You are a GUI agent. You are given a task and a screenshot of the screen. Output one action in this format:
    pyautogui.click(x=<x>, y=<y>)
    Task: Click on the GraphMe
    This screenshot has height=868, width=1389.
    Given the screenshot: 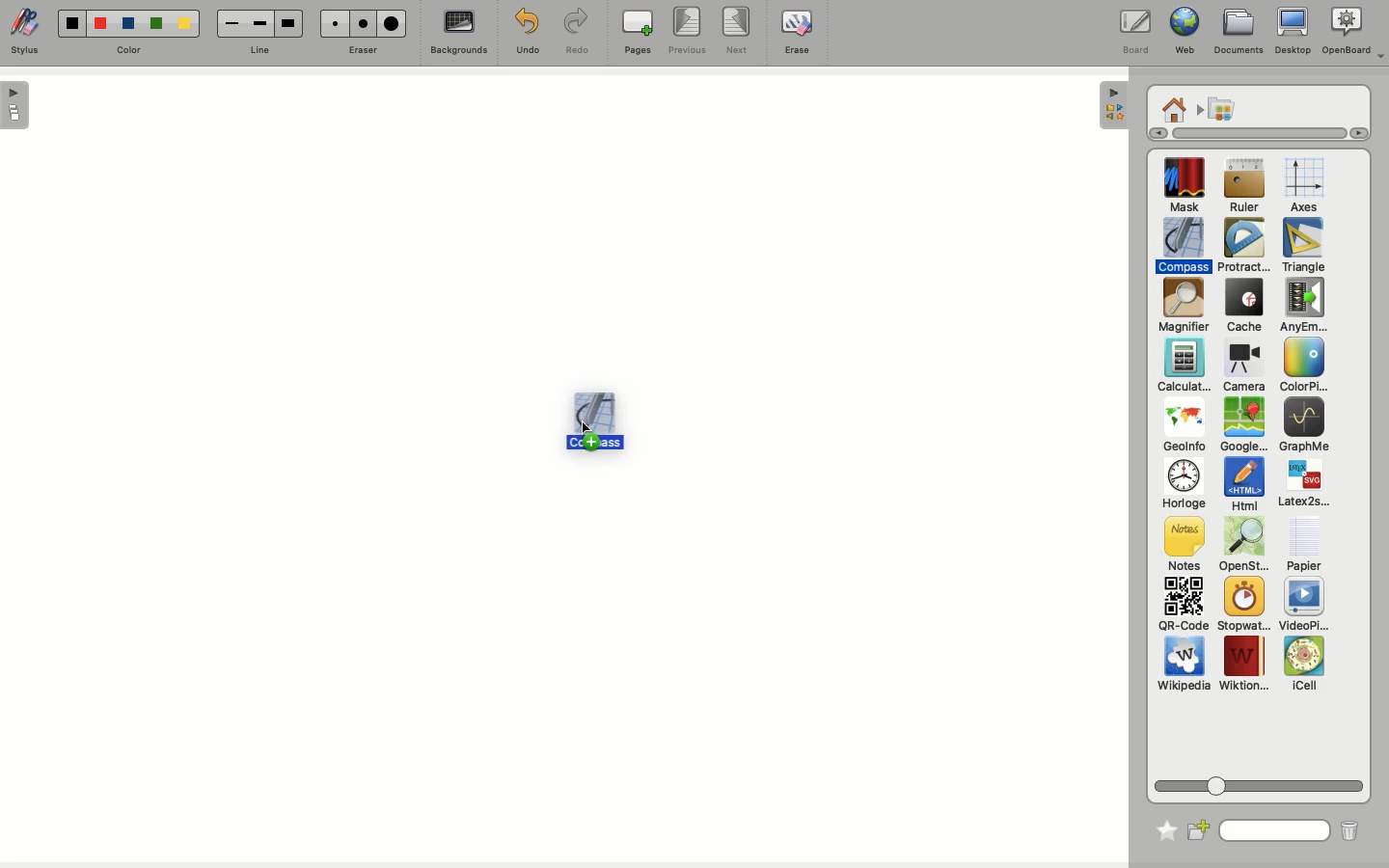 What is the action you would take?
    pyautogui.click(x=1303, y=426)
    